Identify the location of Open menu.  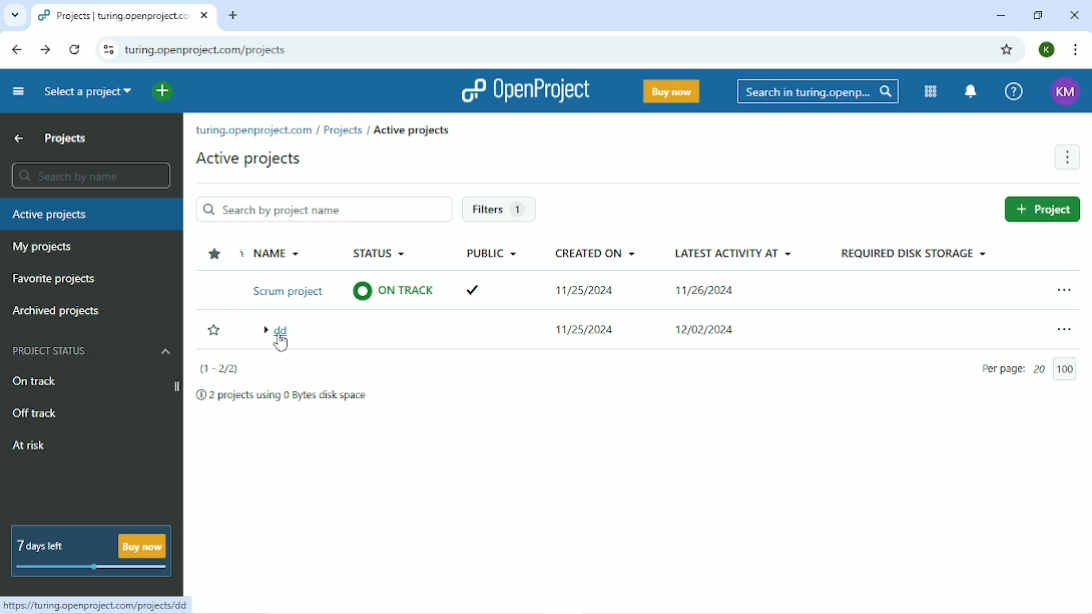
(1064, 328).